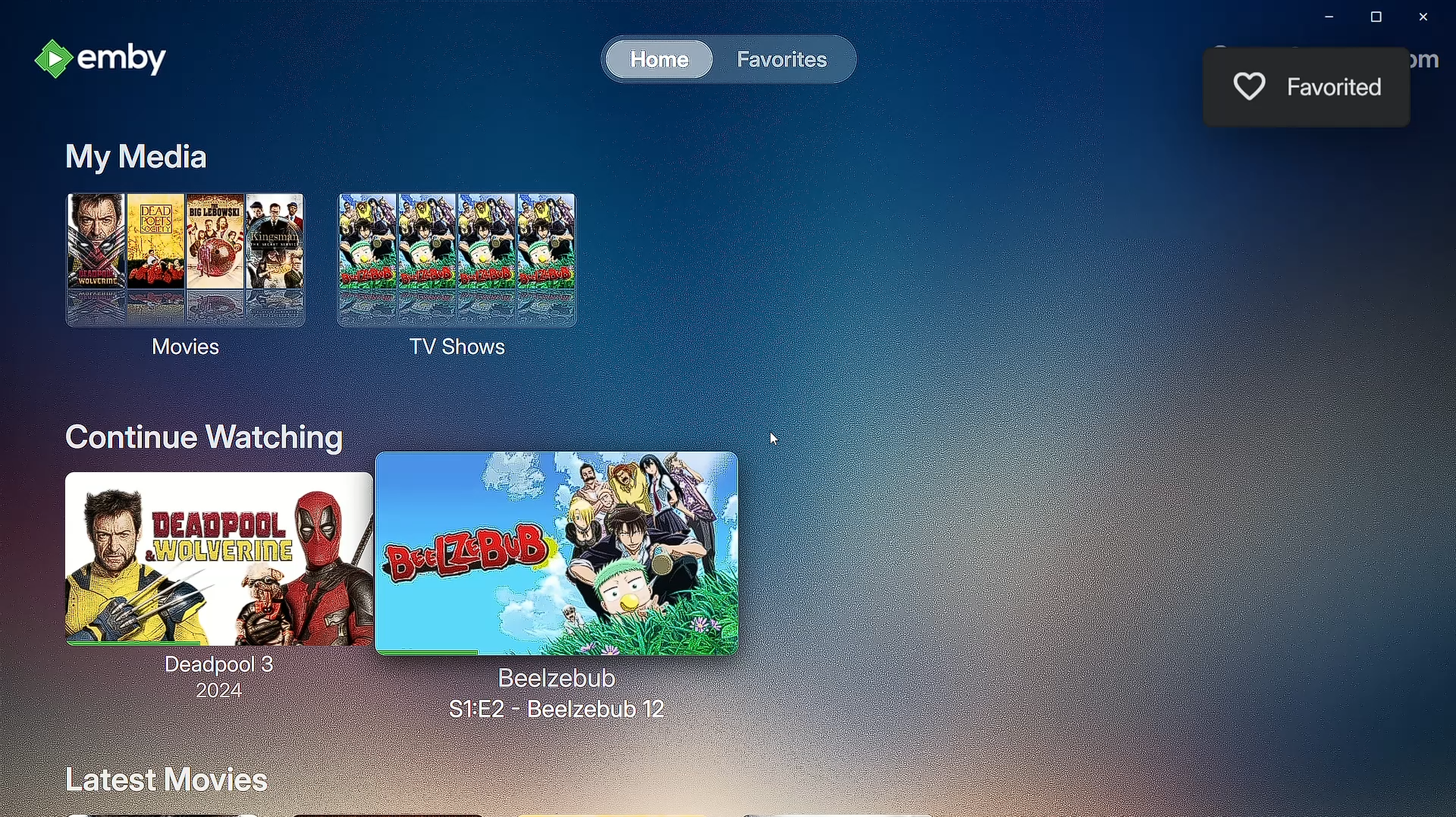 The width and height of the screenshot is (1456, 817). Describe the element at coordinates (215, 692) in the screenshot. I see `2024` at that location.